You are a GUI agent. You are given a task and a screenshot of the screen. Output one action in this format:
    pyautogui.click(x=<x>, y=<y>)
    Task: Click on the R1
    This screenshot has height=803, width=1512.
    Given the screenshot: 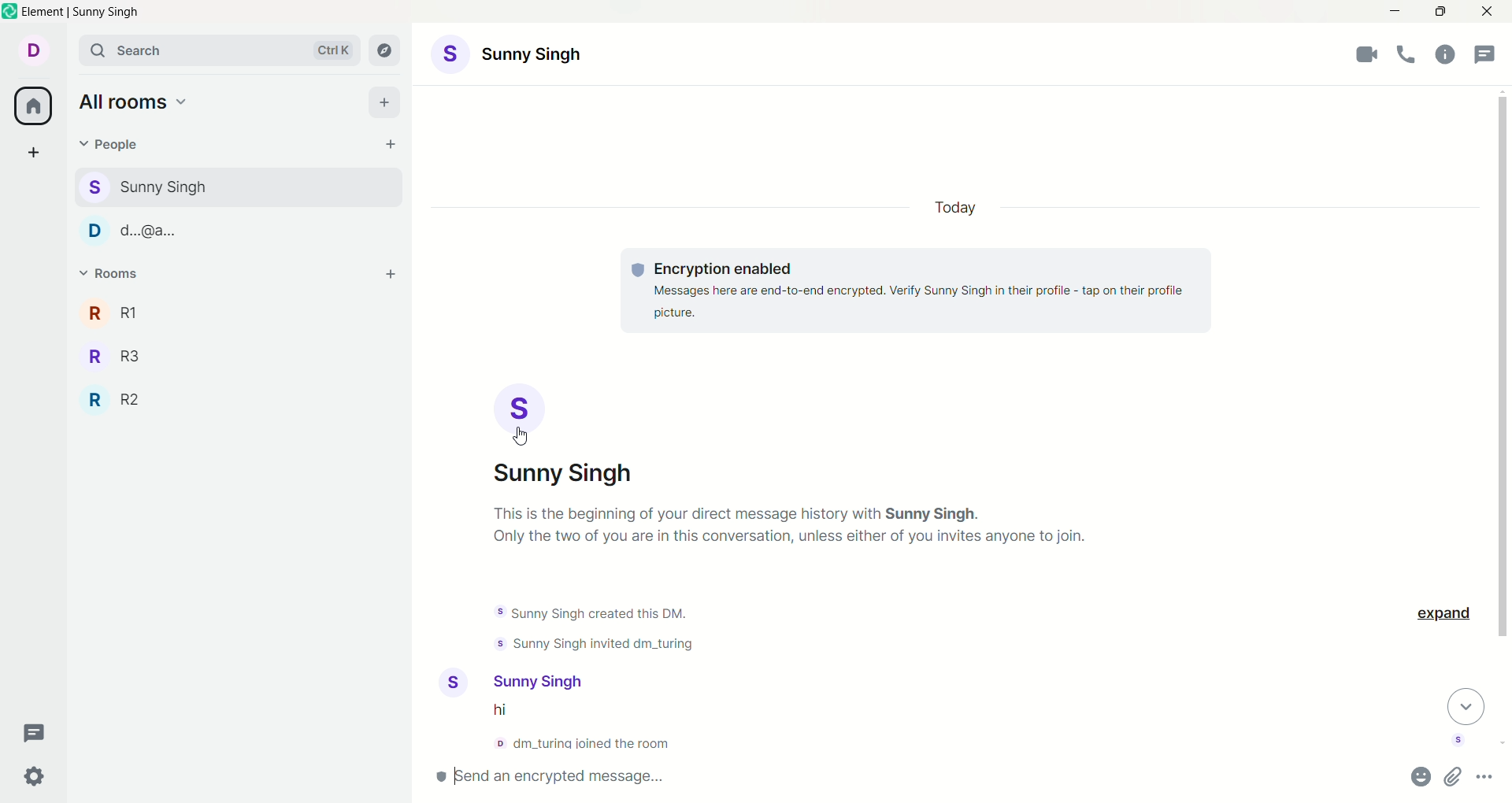 What is the action you would take?
    pyautogui.click(x=117, y=312)
    